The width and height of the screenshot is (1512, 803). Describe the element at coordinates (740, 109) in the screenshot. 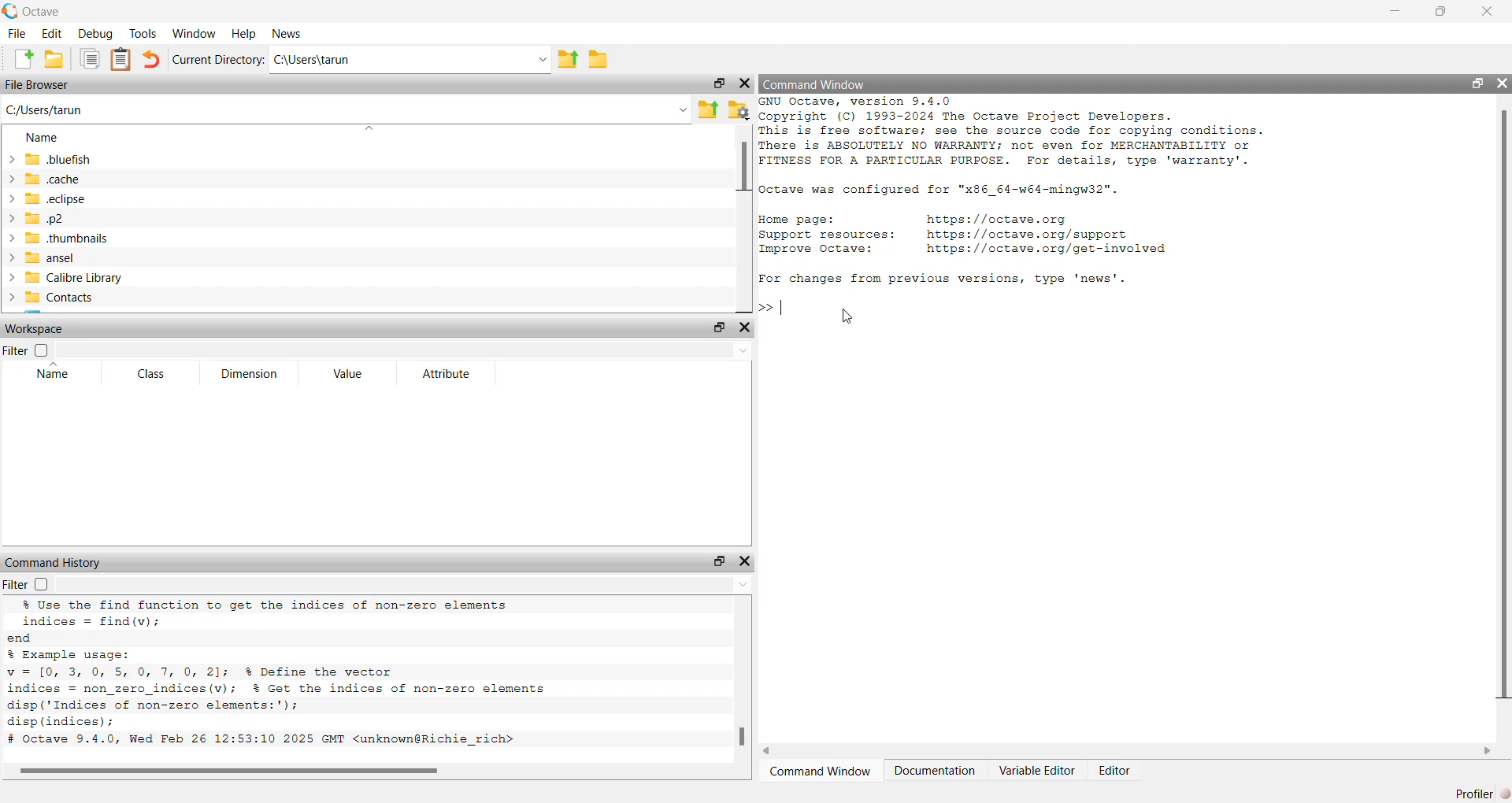

I see `folder settings` at that location.